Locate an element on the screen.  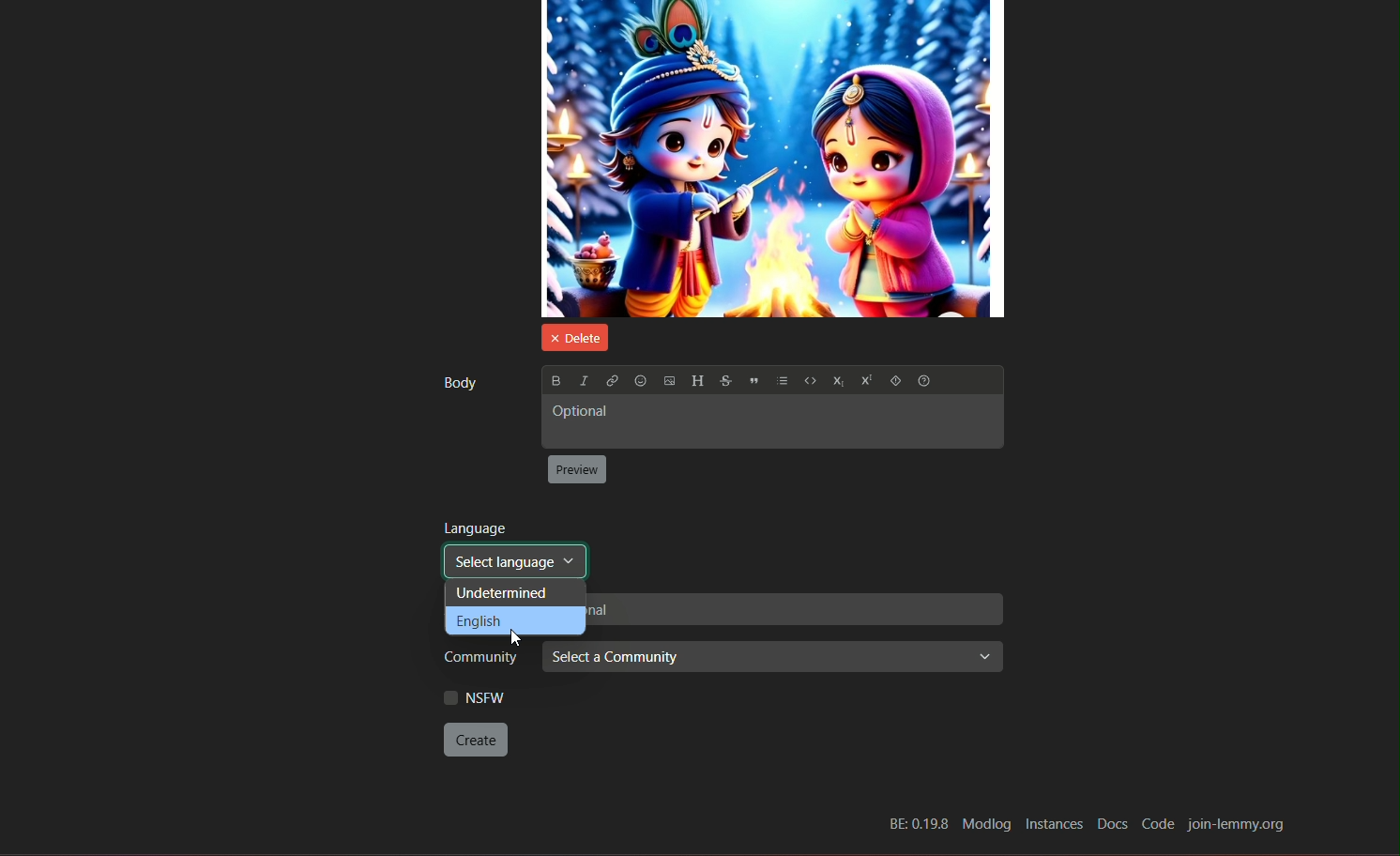
Delete is located at coordinates (571, 336).